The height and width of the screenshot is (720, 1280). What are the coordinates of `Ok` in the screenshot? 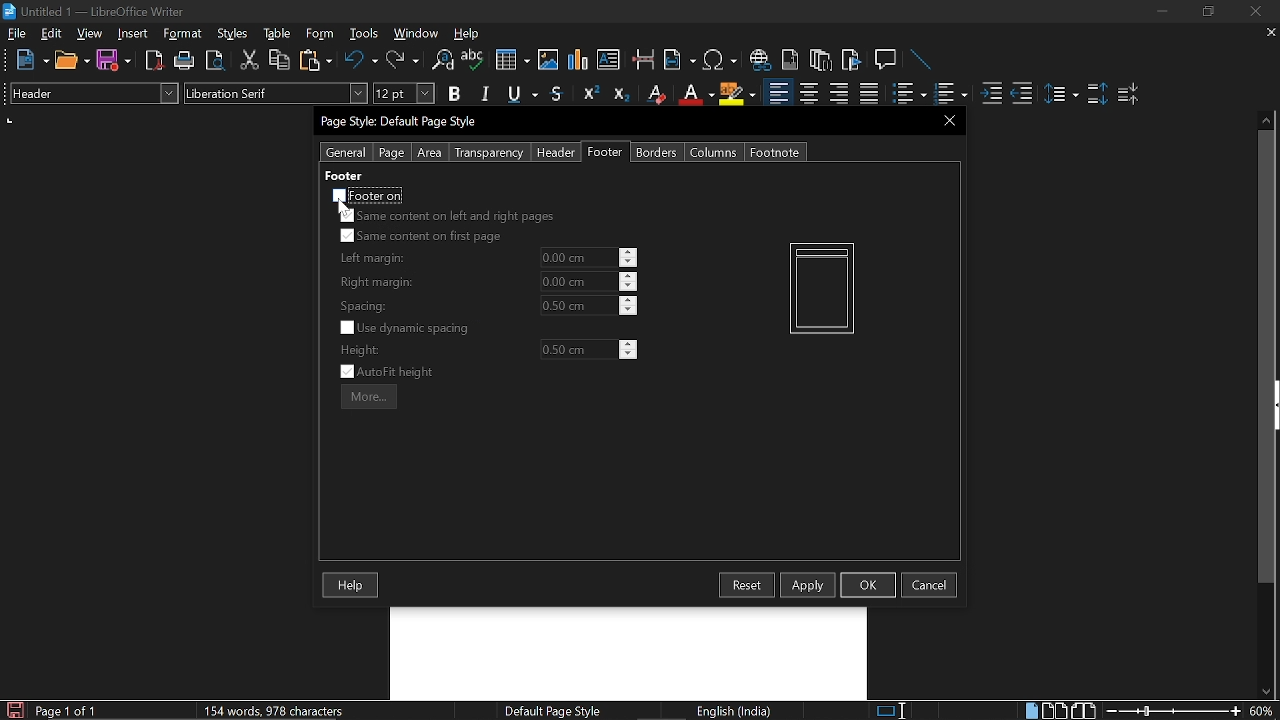 It's located at (868, 584).